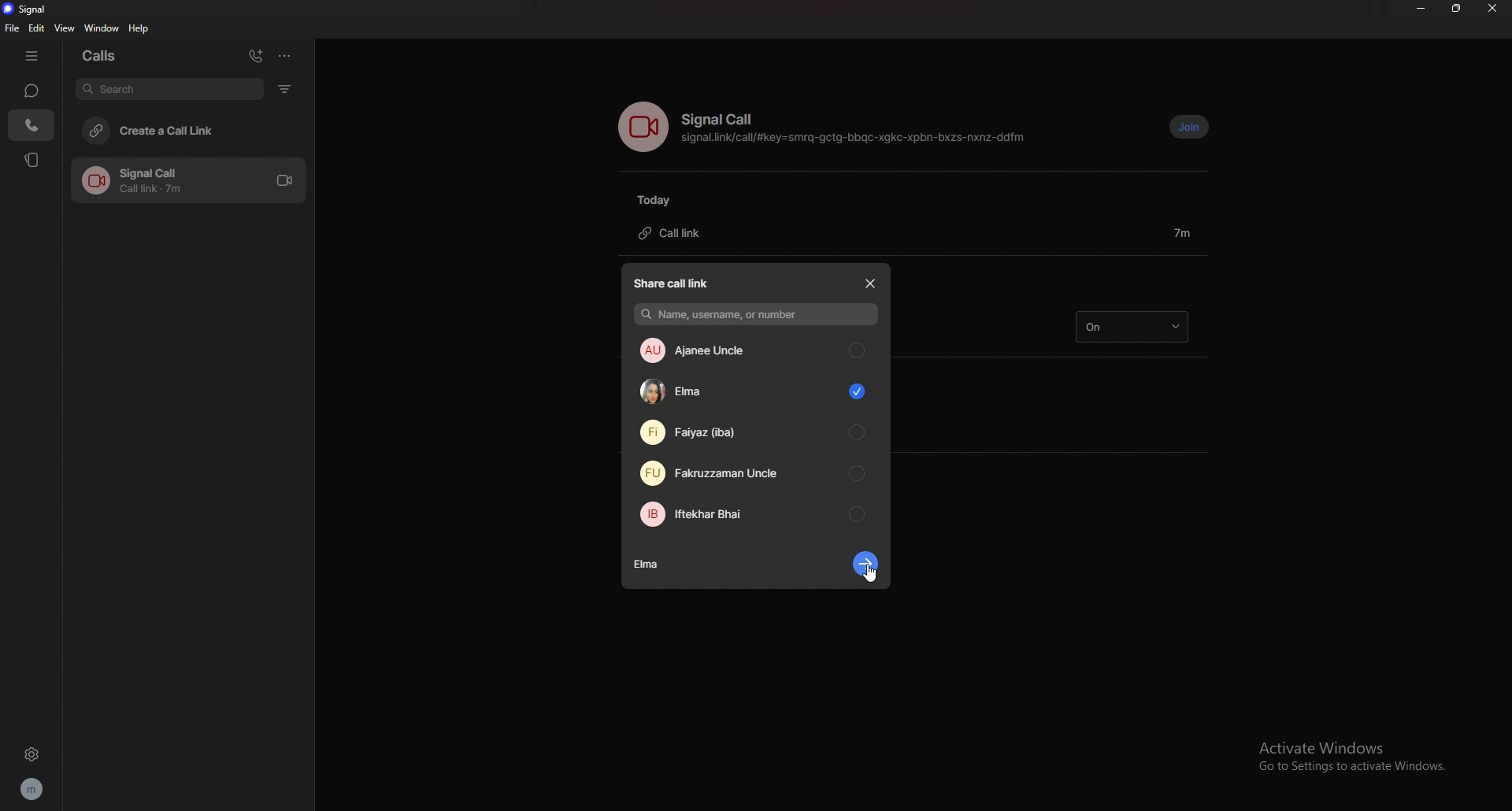 This screenshot has height=811, width=1512. Describe the element at coordinates (34, 159) in the screenshot. I see `stories` at that location.